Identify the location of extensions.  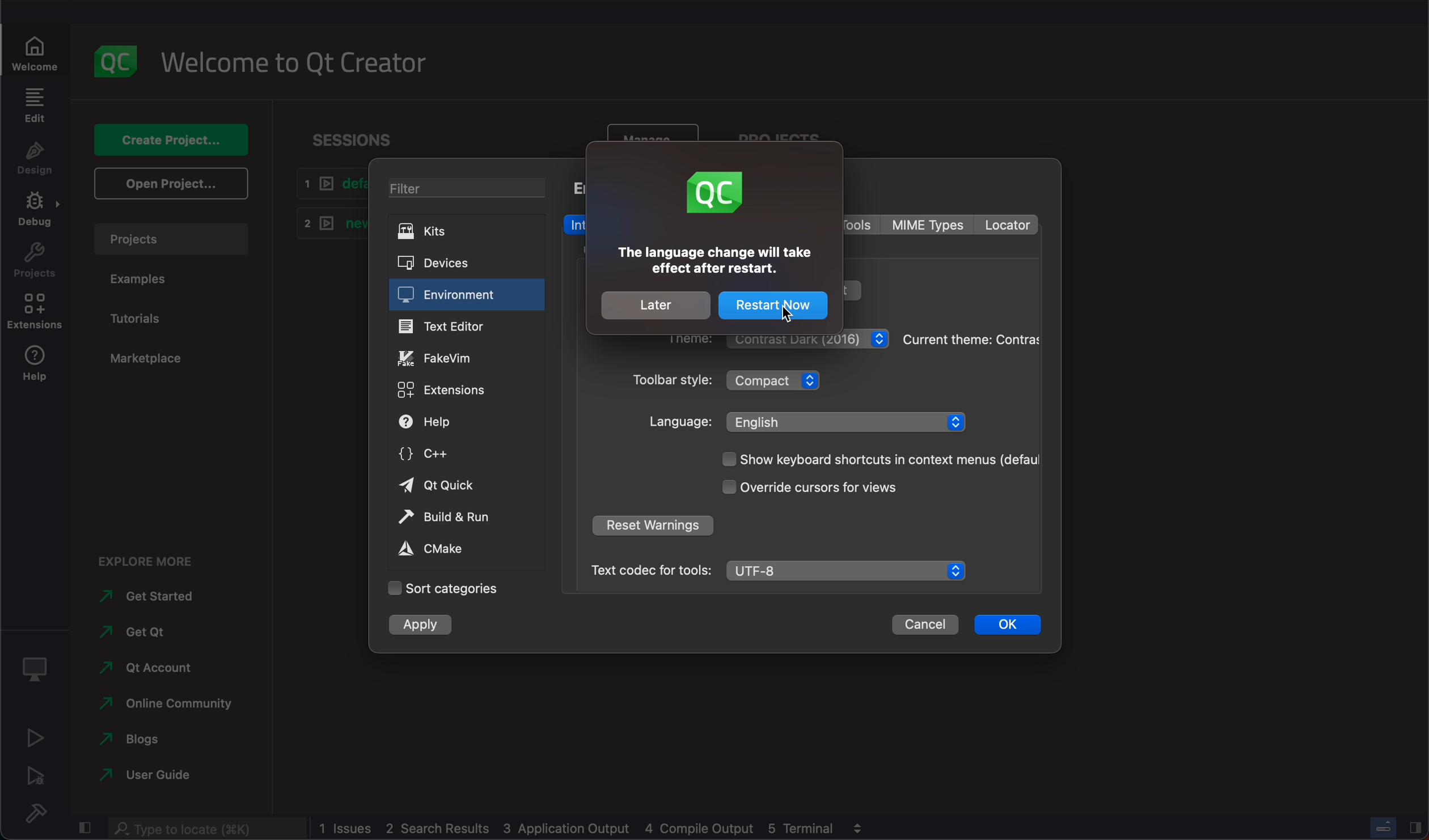
(467, 389).